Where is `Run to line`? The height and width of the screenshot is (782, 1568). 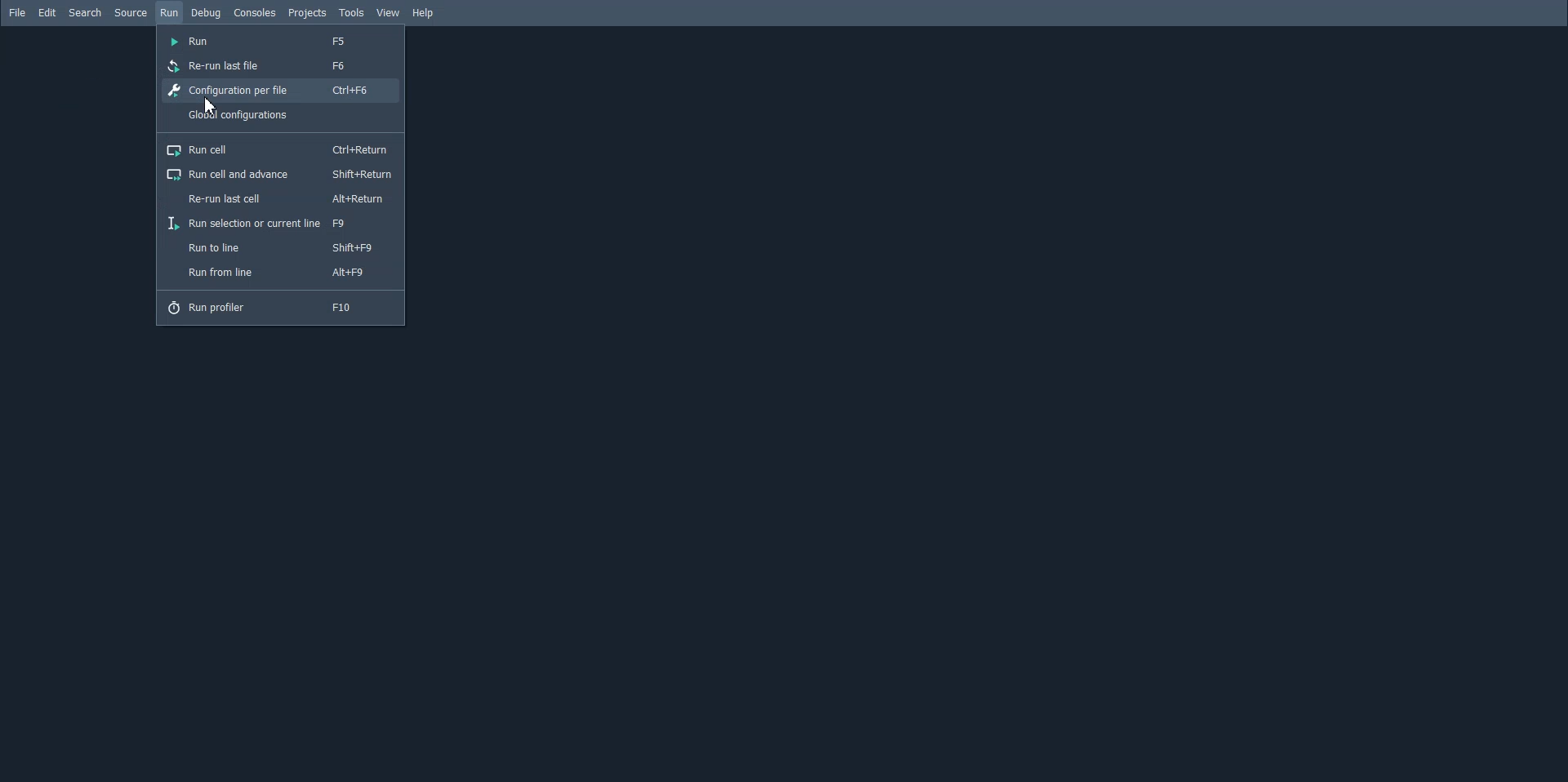
Run to line is located at coordinates (282, 247).